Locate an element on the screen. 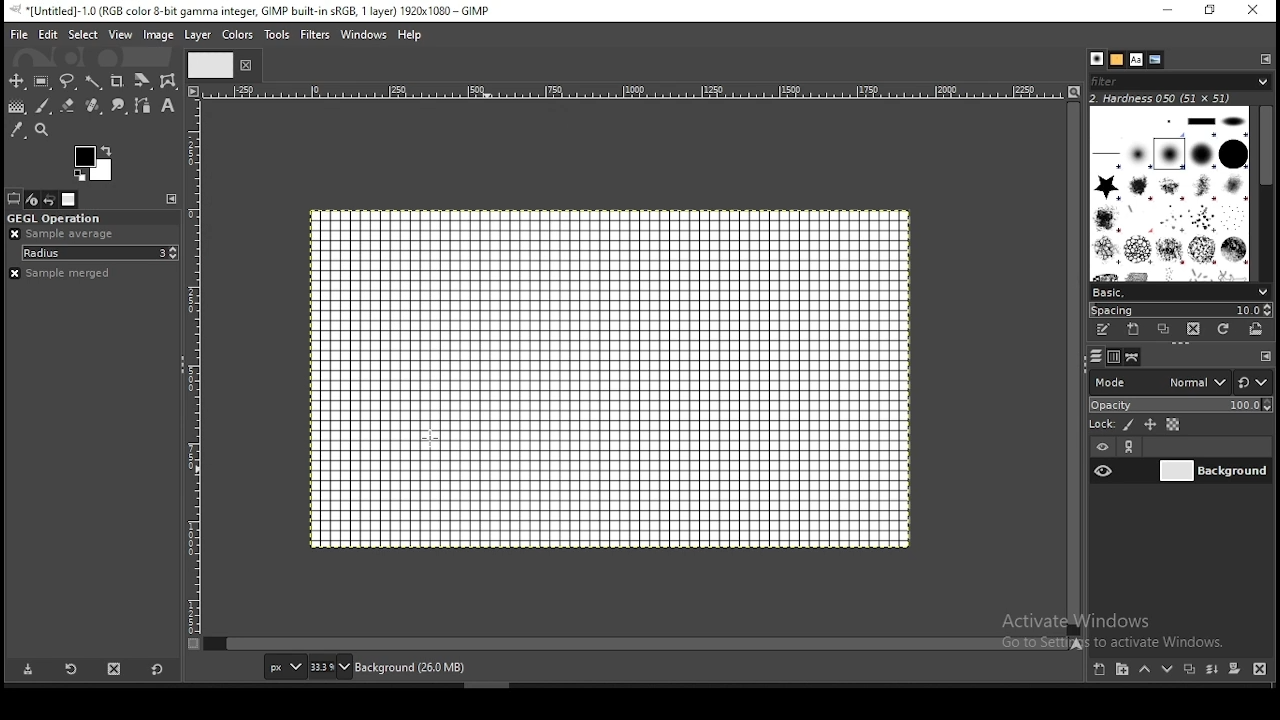 The height and width of the screenshot is (720, 1280). horizontal scale is located at coordinates (640, 91).